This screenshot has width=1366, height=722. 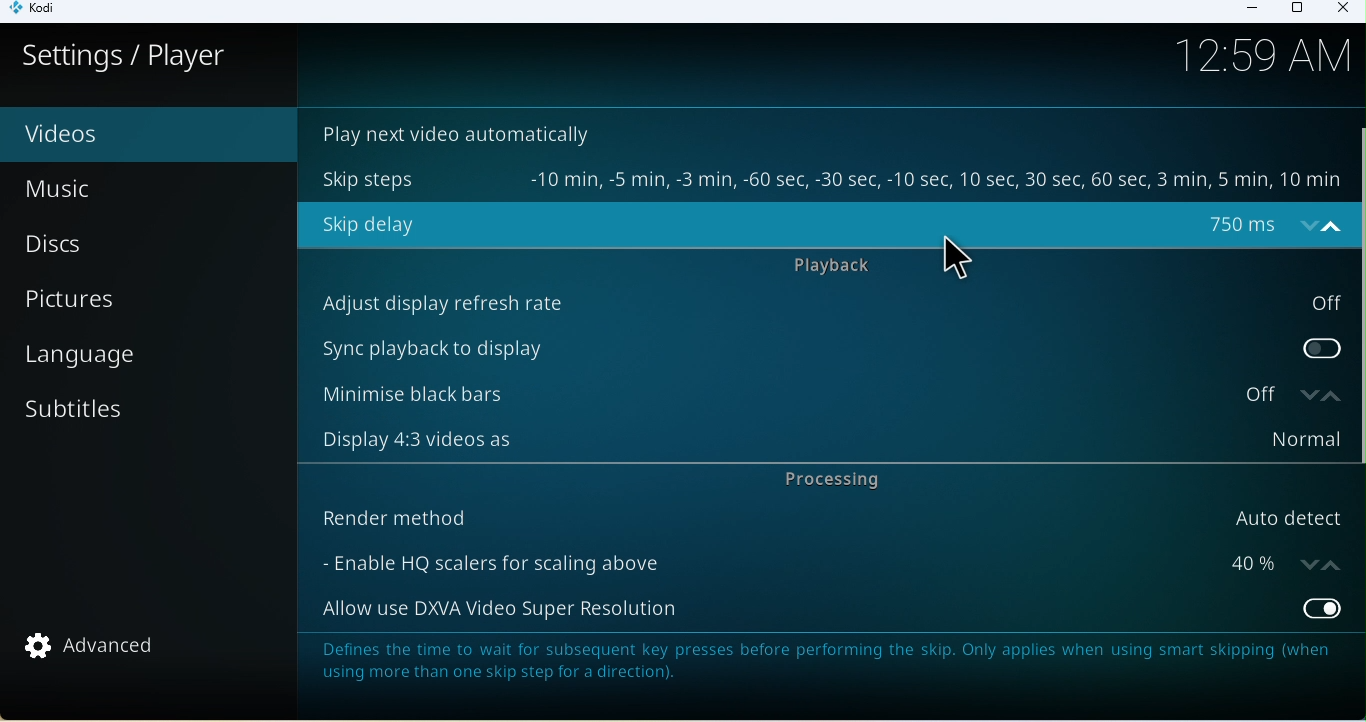 I want to click on Language, so click(x=145, y=356).